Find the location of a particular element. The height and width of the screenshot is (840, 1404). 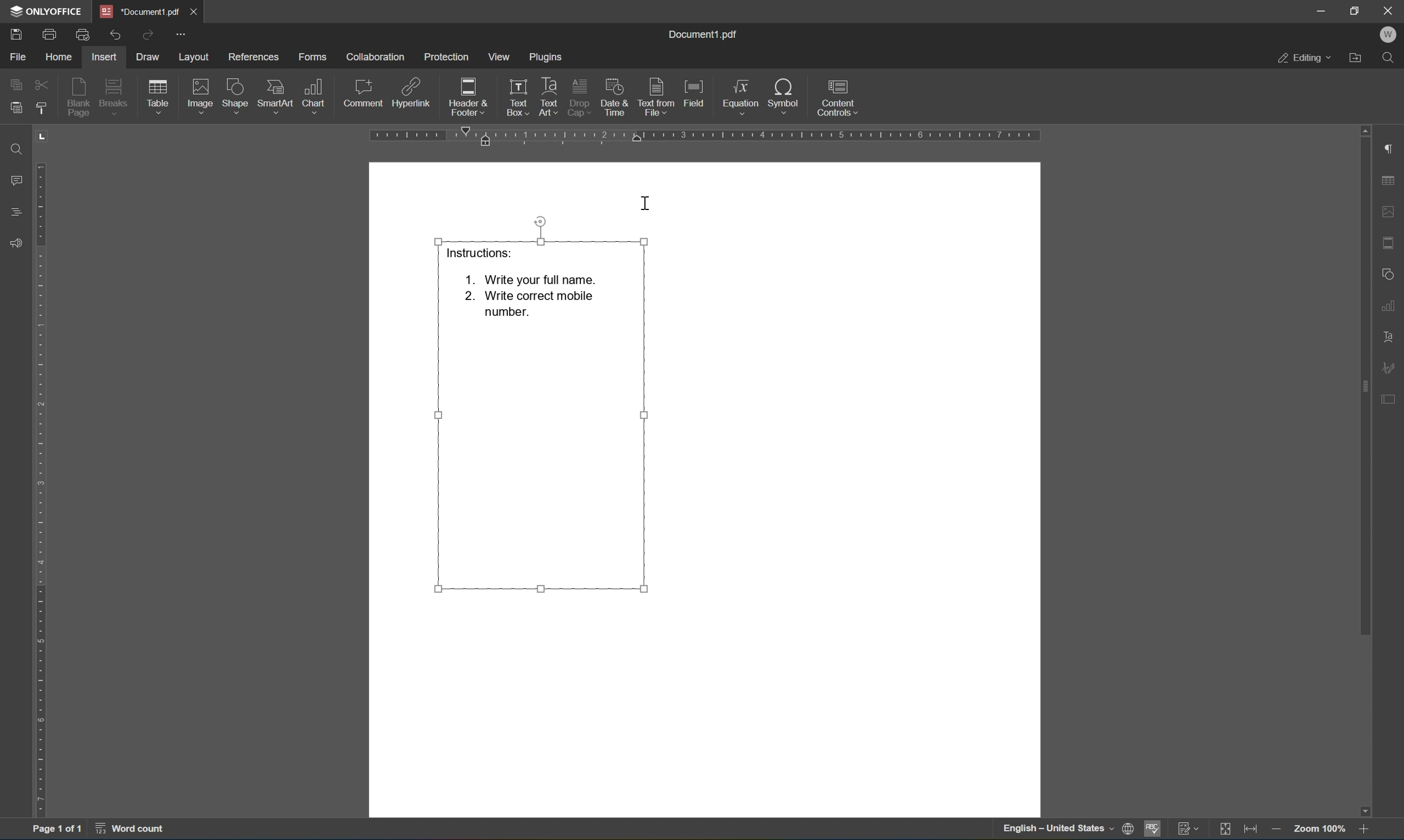

header and footer is located at coordinates (469, 98).